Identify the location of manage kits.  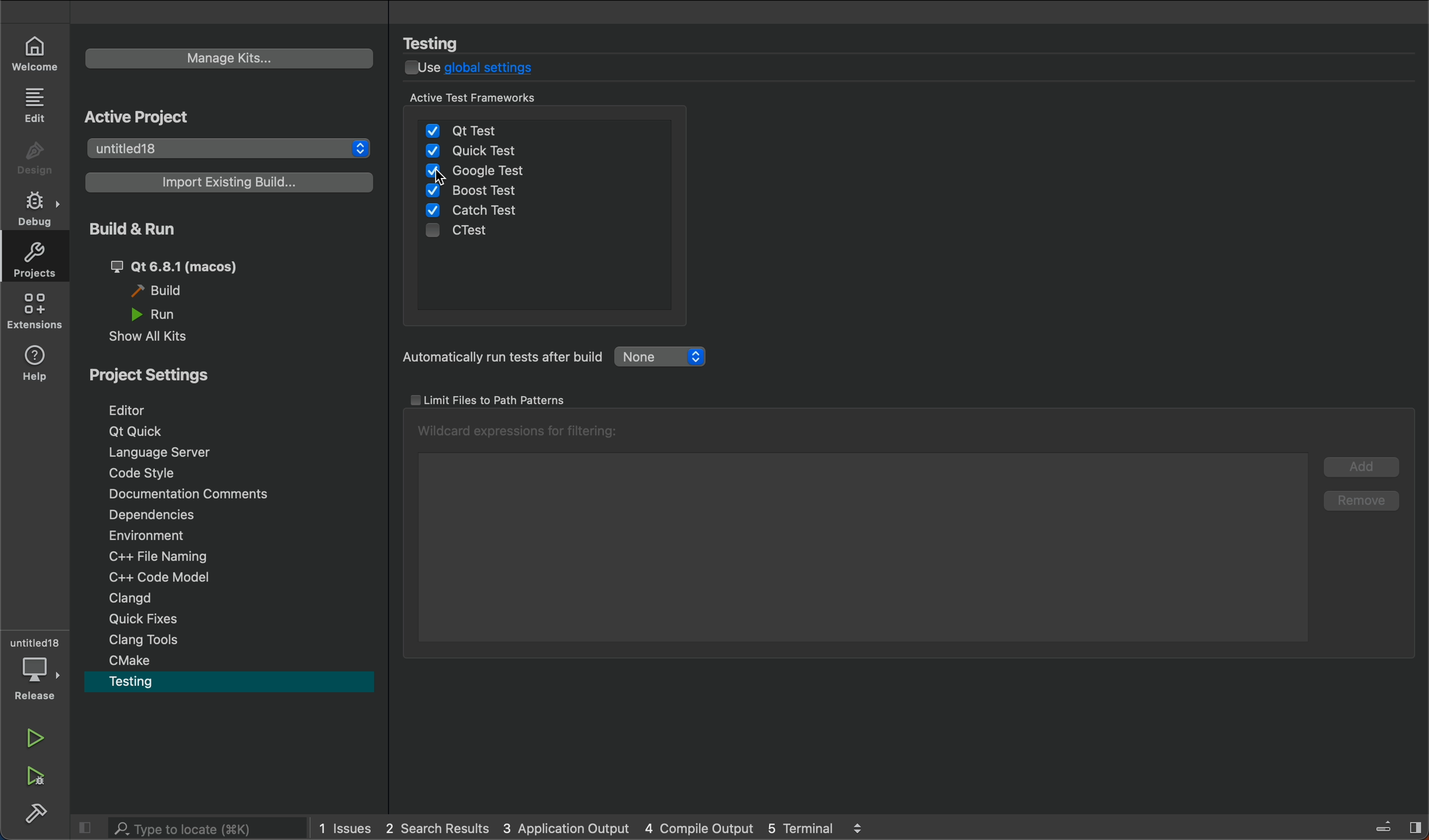
(230, 57).